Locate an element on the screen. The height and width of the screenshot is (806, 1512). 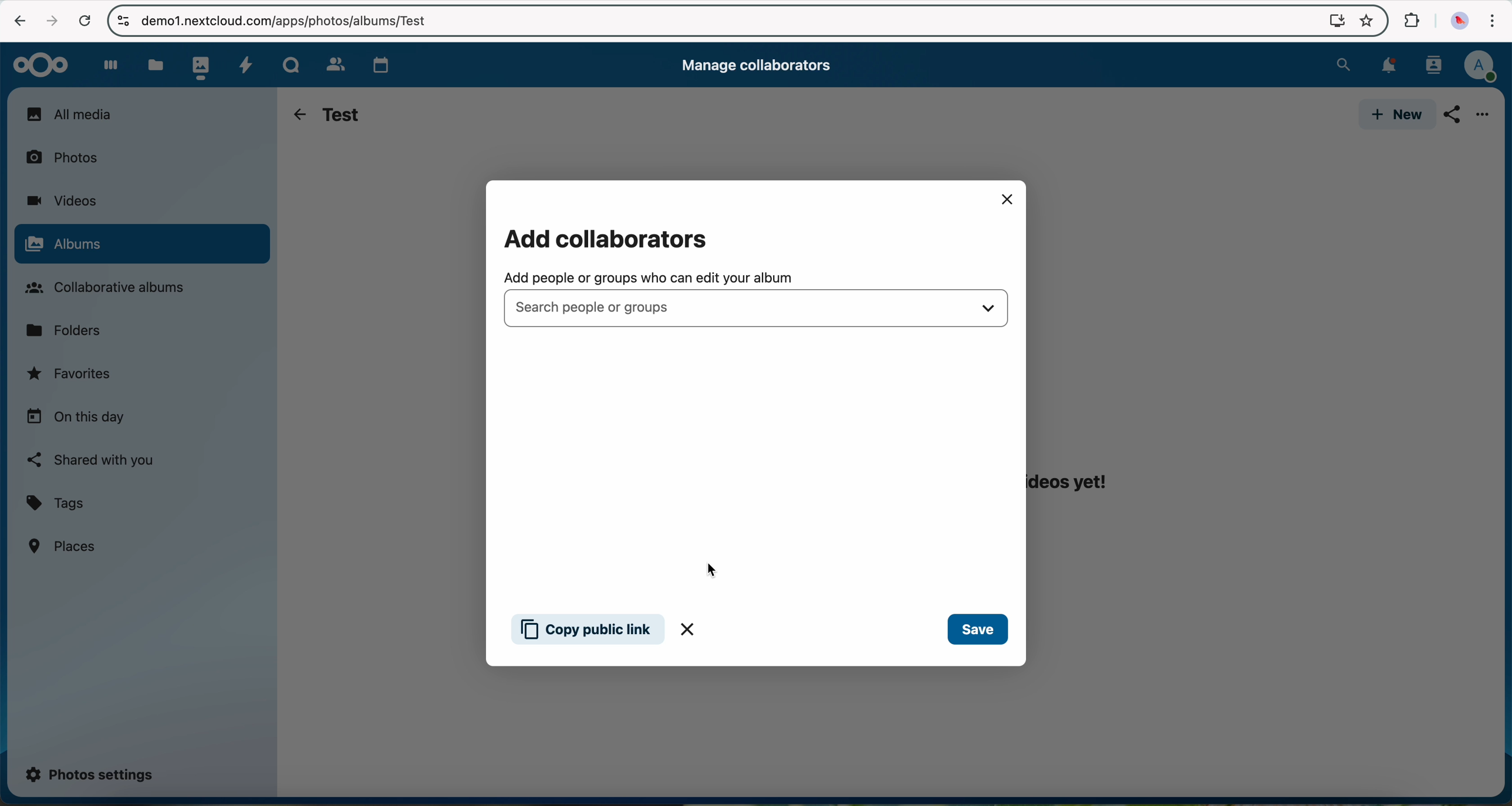
photos is located at coordinates (198, 65).